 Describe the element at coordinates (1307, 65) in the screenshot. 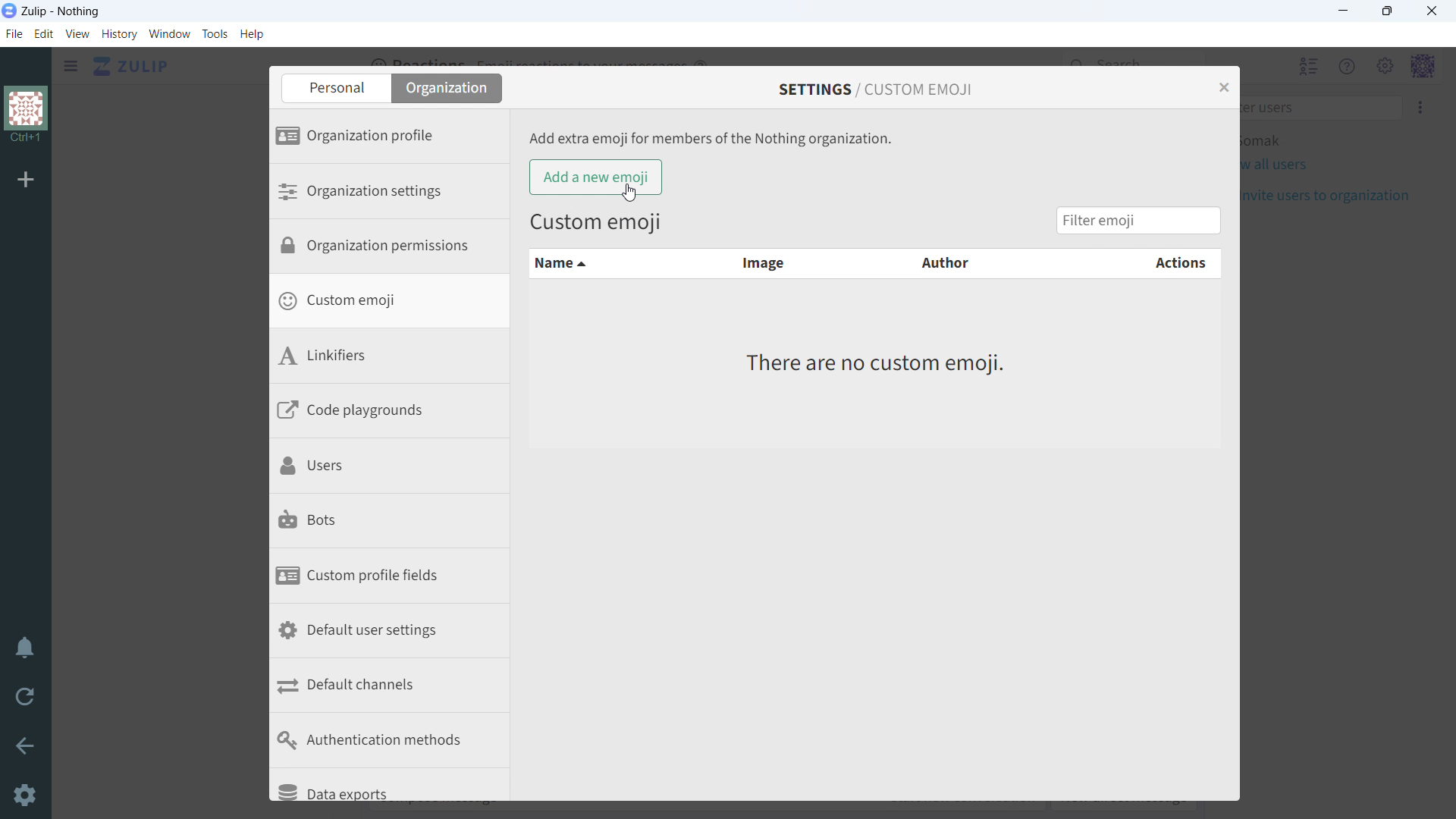

I see `hide user list` at that location.